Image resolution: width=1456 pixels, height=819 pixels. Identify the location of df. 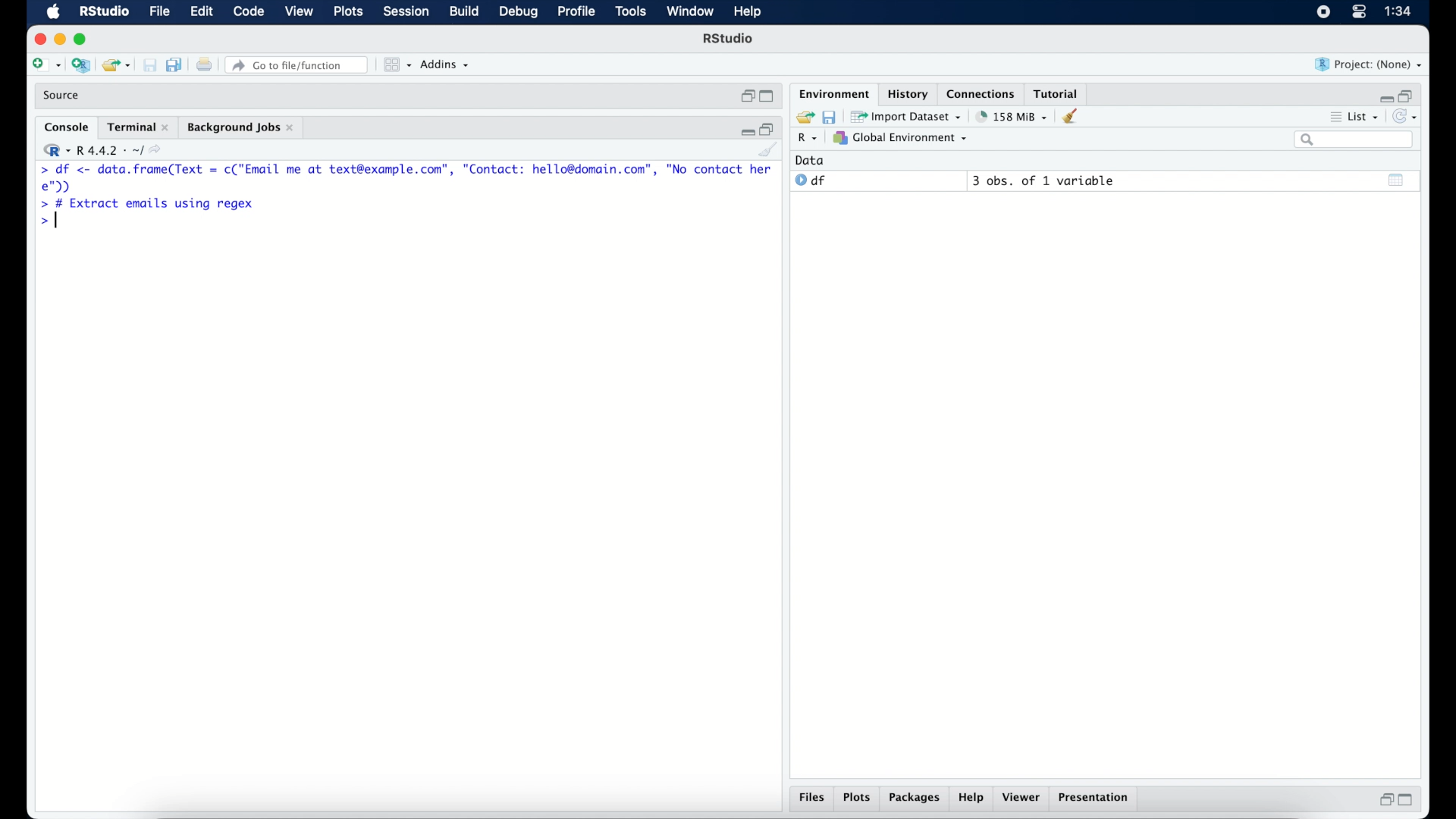
(811, 180).